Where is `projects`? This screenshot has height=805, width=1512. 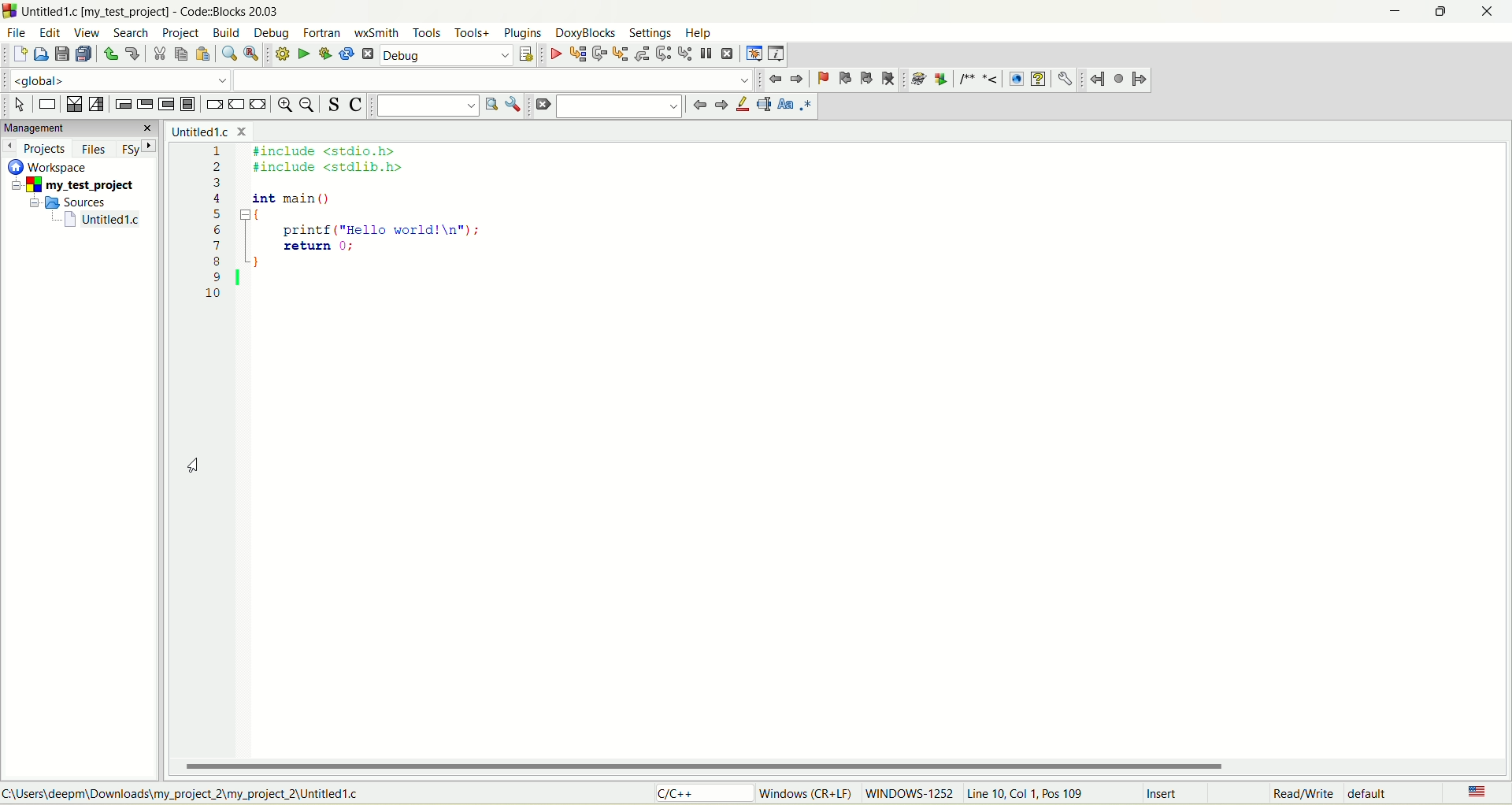
projects is located at coordinates (37, 150).